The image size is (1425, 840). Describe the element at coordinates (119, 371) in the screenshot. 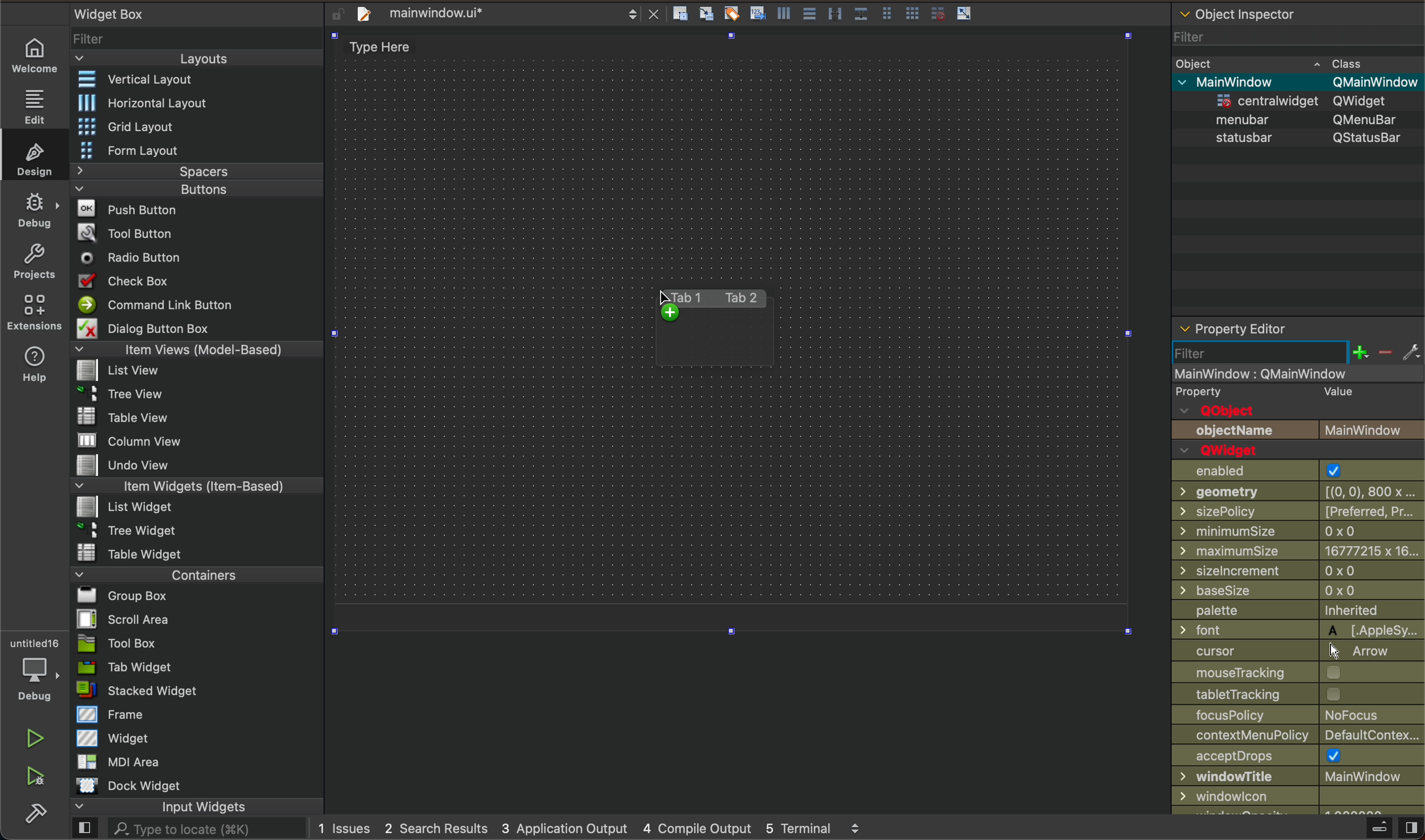

I see ` list View` at that location.